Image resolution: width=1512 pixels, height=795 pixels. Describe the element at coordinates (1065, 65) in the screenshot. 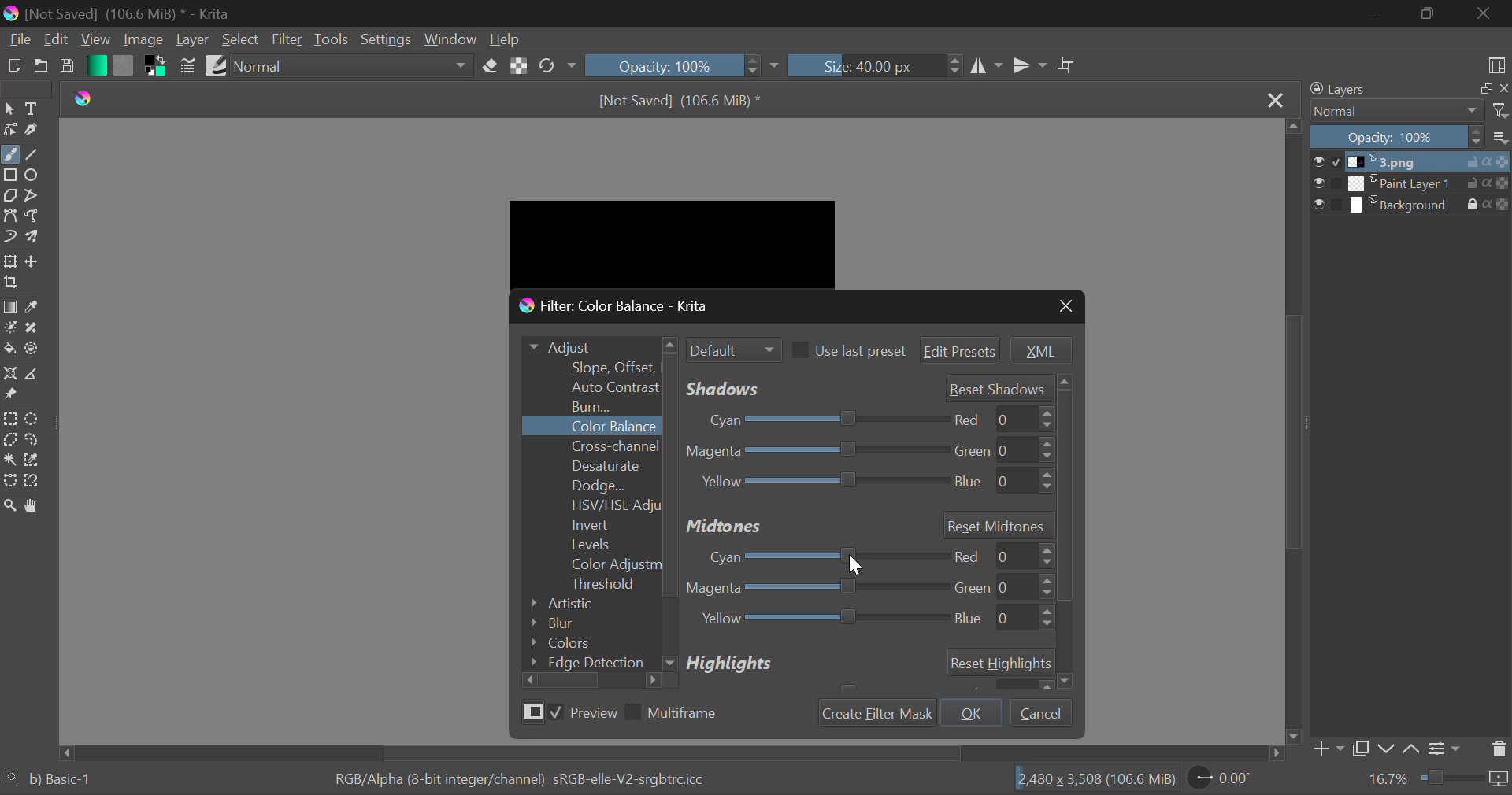

I see `Crop` at that location.